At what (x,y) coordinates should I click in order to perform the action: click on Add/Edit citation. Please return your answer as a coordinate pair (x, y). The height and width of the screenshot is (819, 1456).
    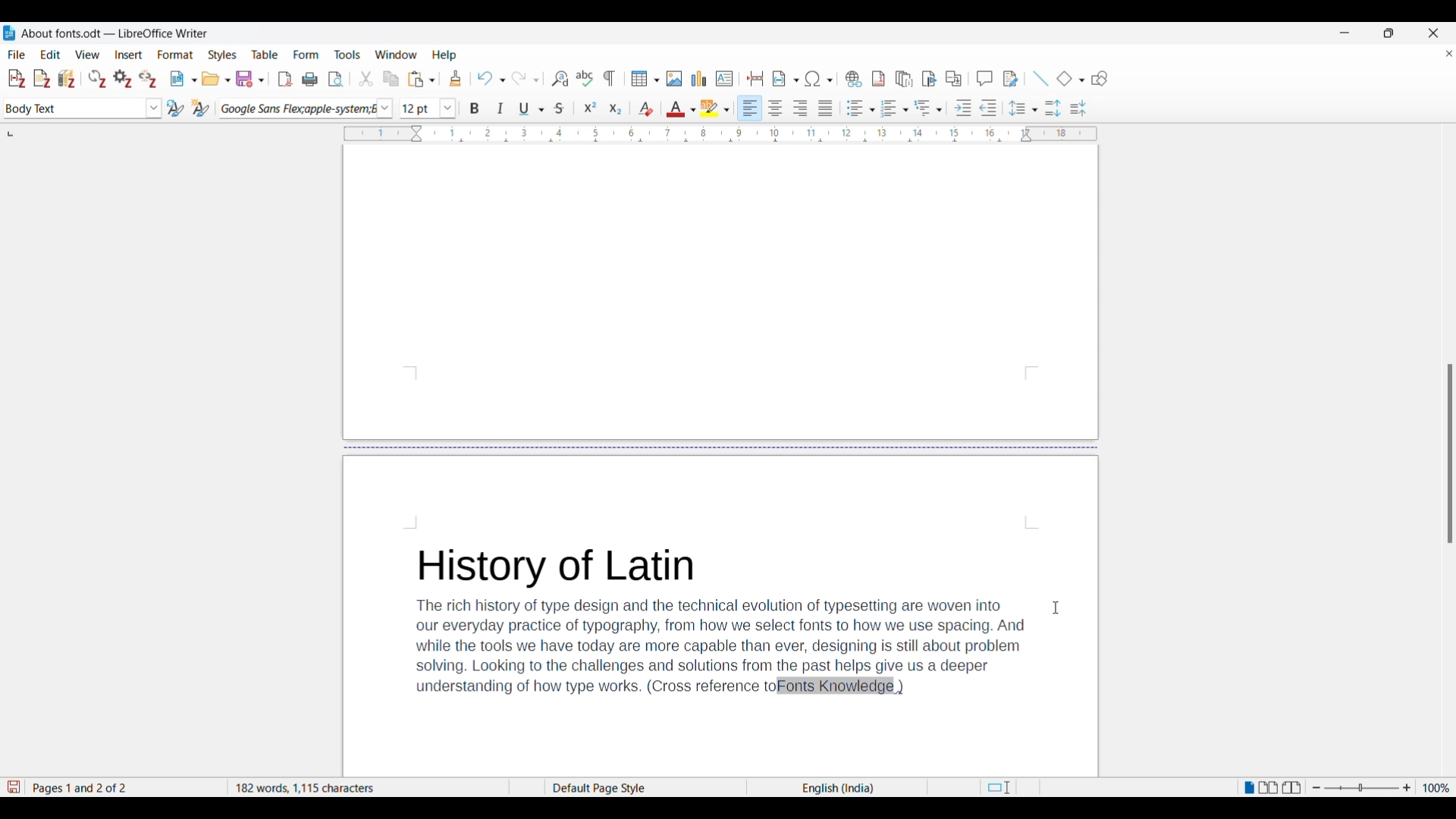
    Looking at the image, I should click on (16, 79).